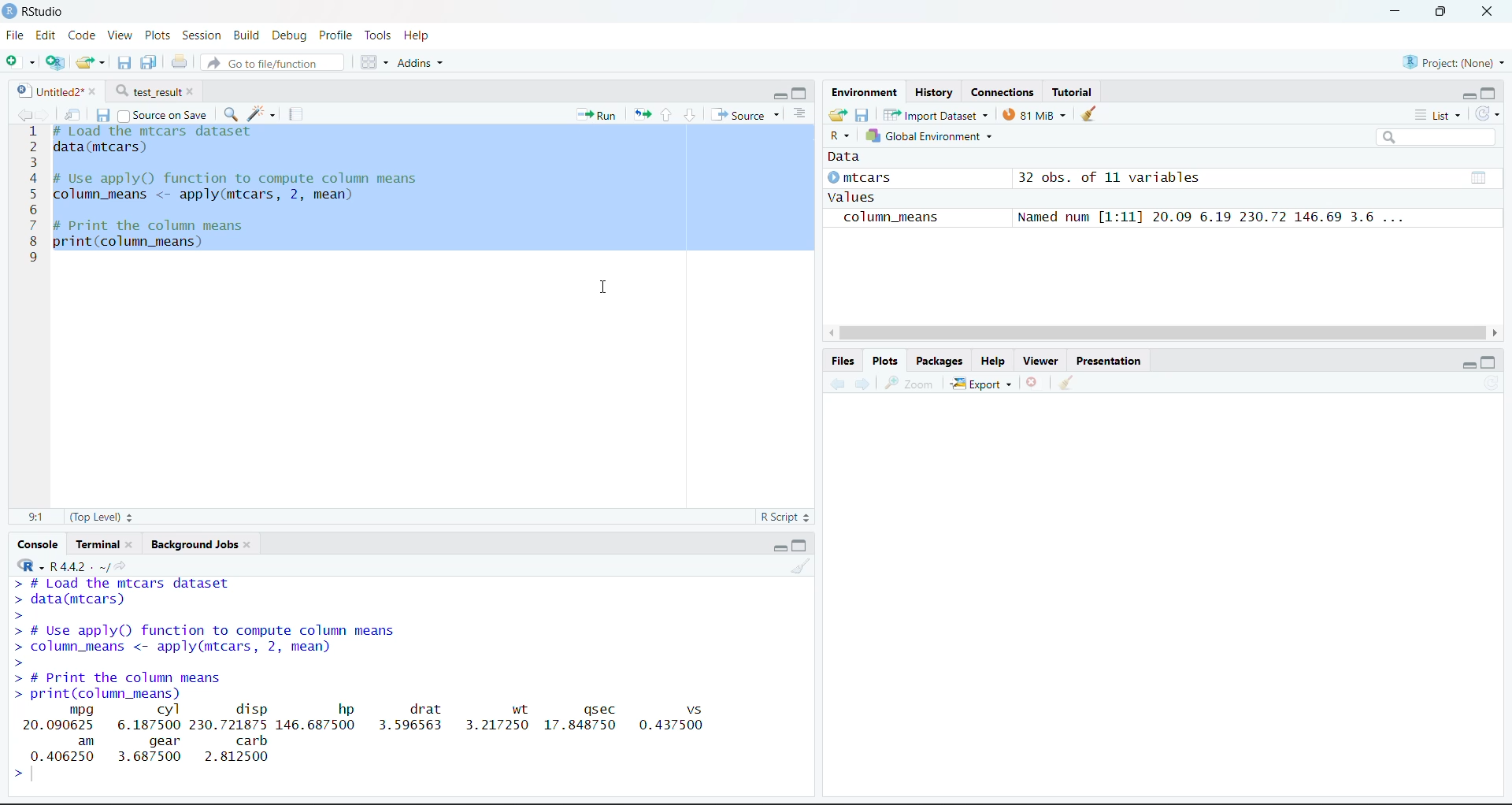 The width and height of the screenshot is (1512, 805). Describe the element at coordinates (203, 540) in the screenshot. I see `Background Jobs` at that location.